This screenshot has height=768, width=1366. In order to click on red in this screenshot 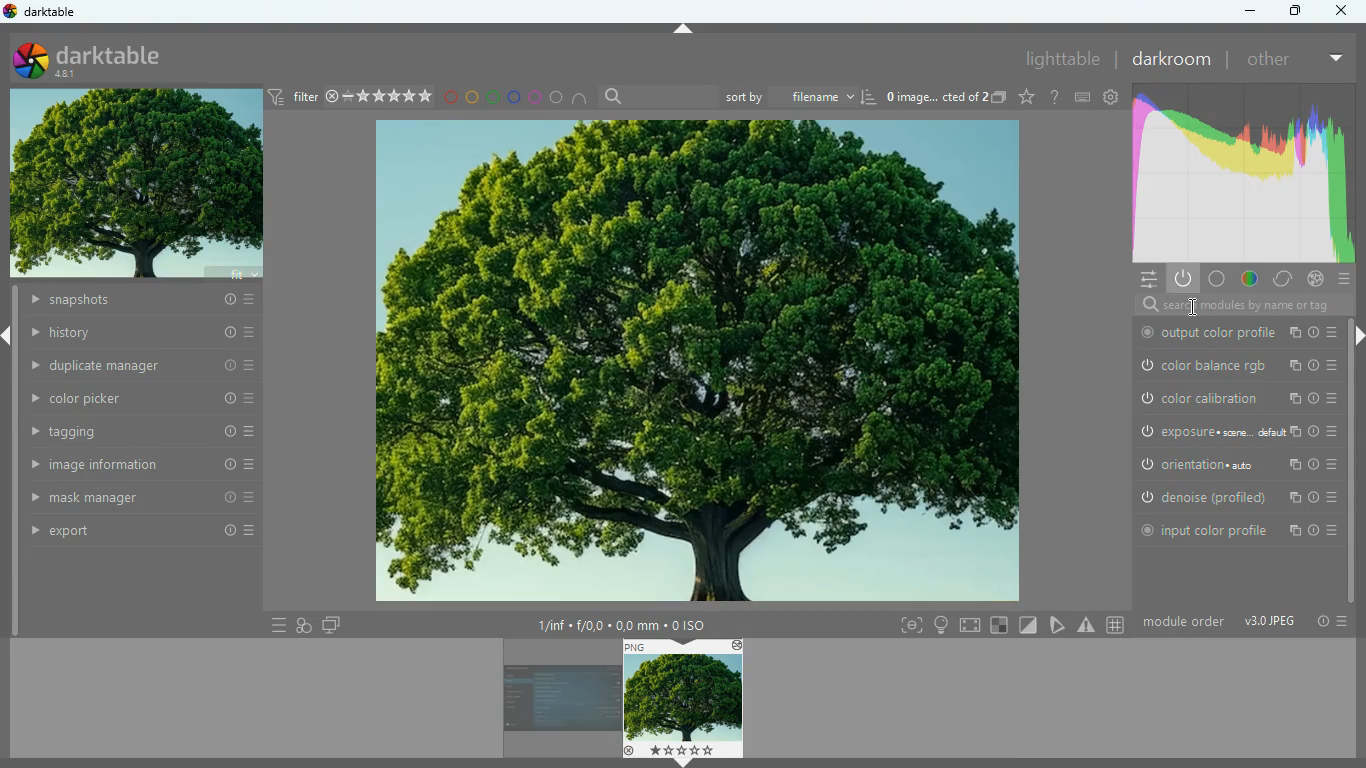, I will do `click(449, 98)`.